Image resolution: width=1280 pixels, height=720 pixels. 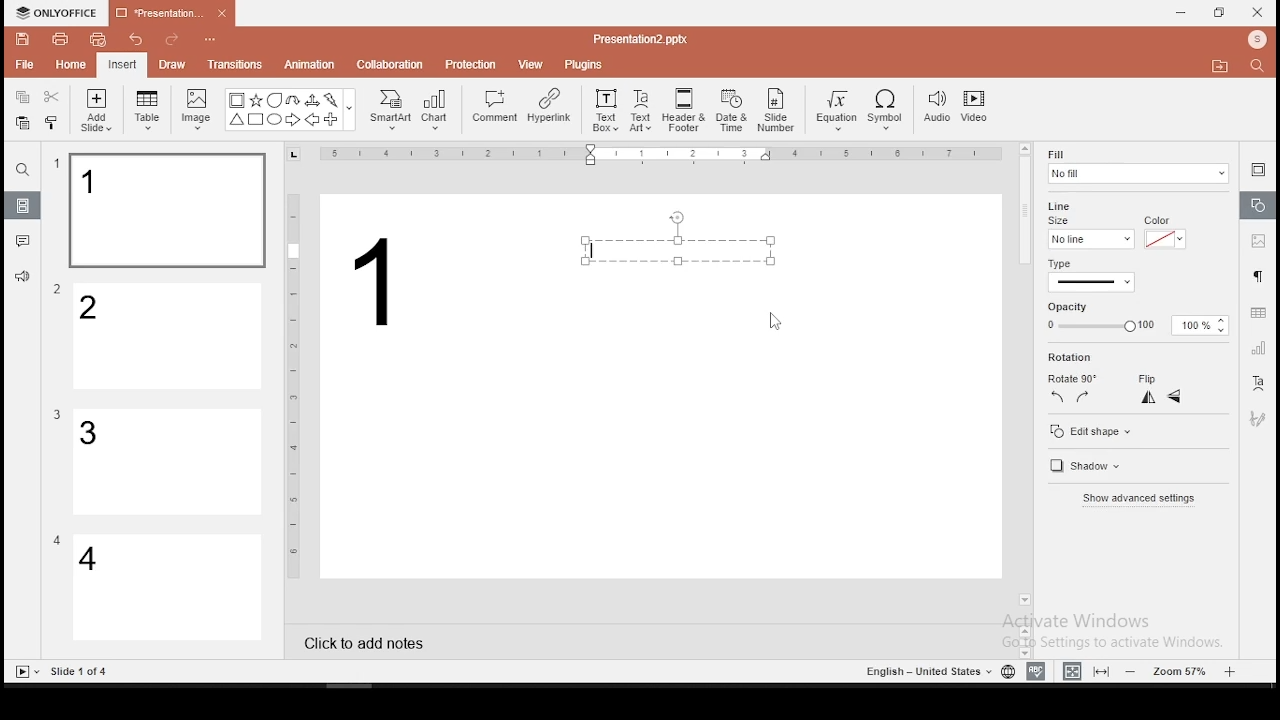 What do you see at coordinates (604, 108) in the screenshot?
I see `text box` at bounding box center [604, 108].